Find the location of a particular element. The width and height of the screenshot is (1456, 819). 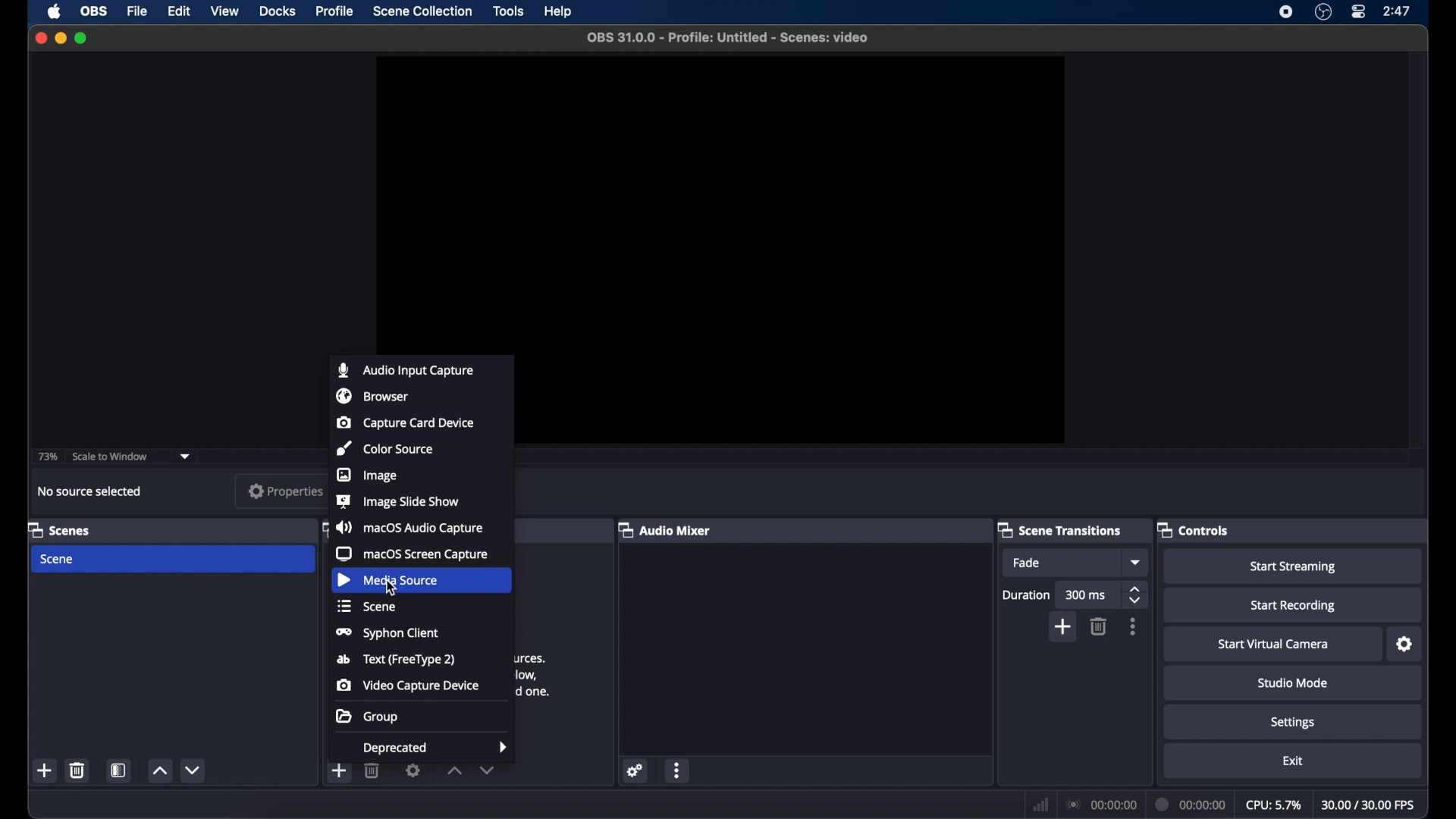

docks is located at coordinates (278, 11).